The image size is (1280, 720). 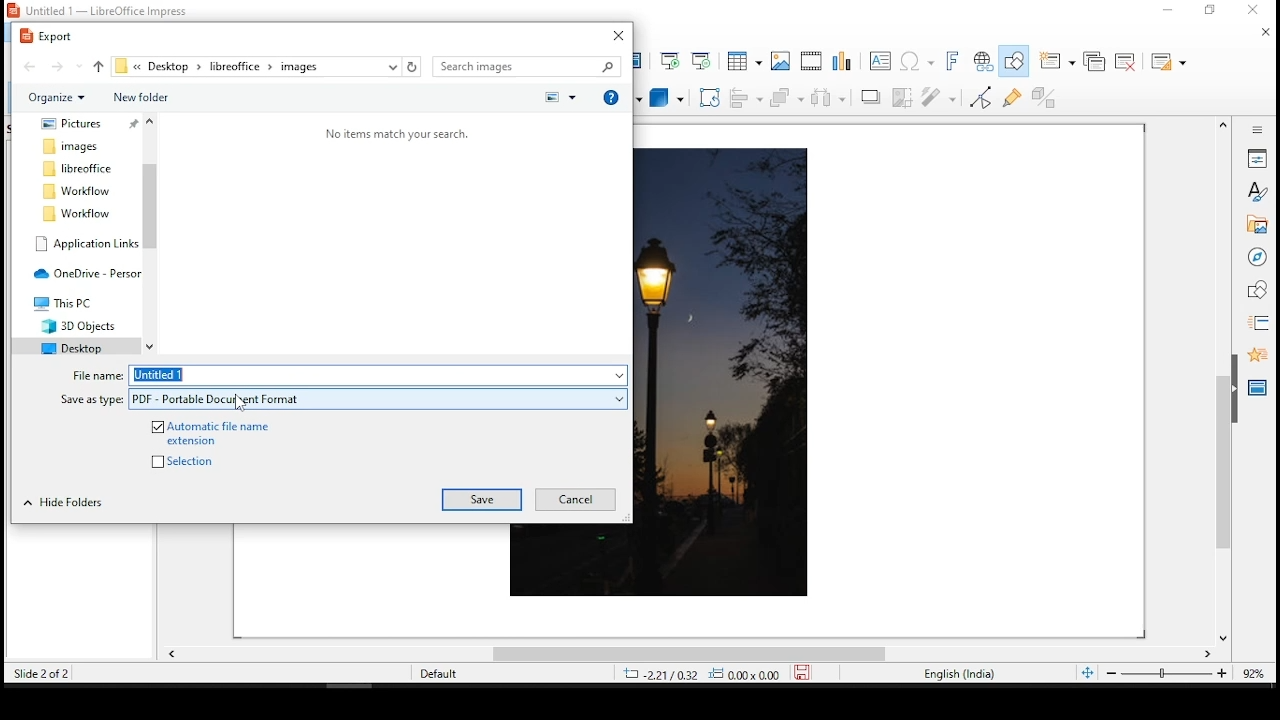 I want to click on start from first slide, so click(x=670, y=60).